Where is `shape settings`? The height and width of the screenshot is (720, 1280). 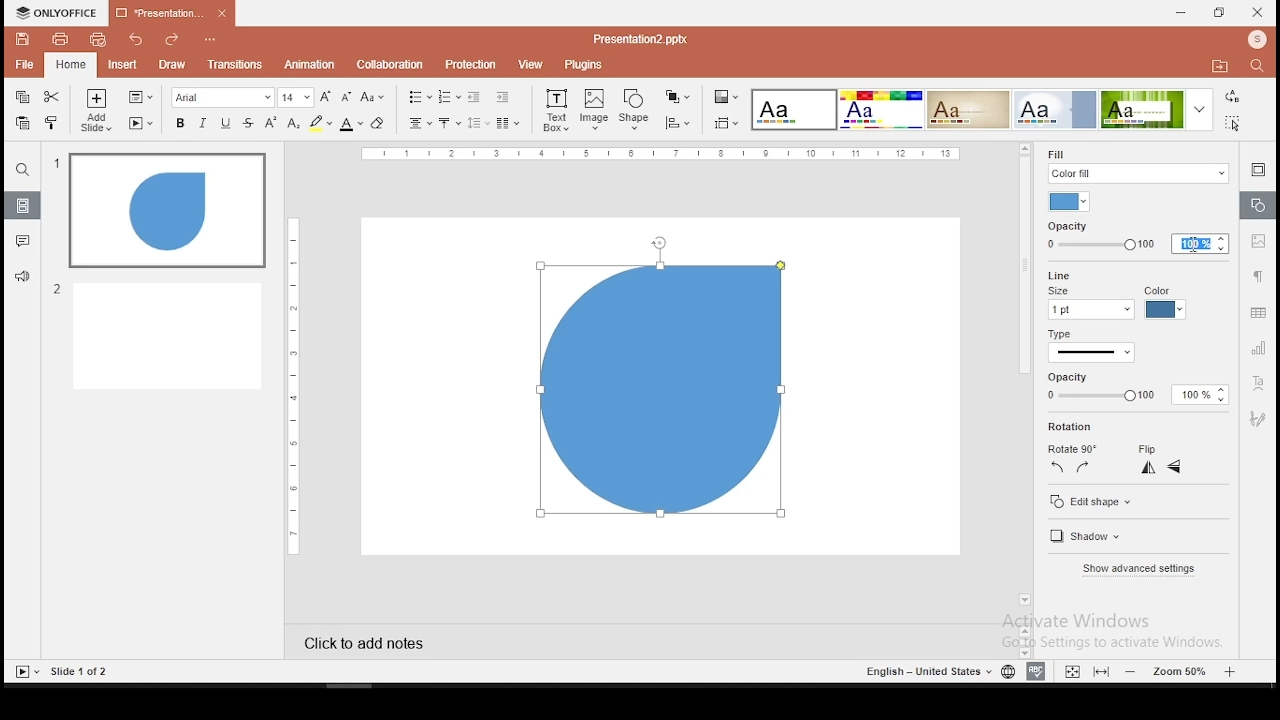
shape settings is located at coordinates (1256, 206).